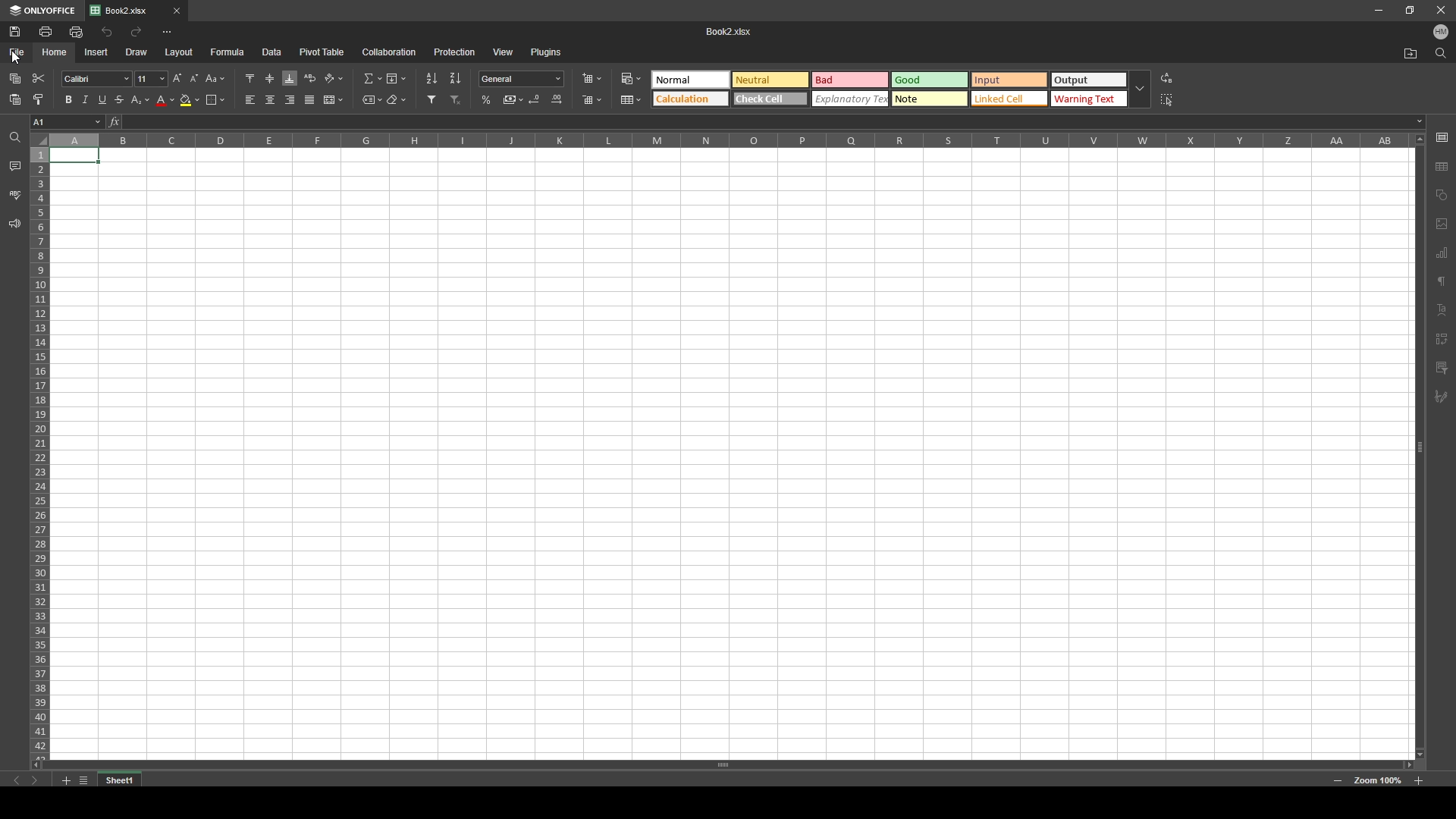 The image size is (1456, 819). I want to click on Warning text, so click(1090, 99).